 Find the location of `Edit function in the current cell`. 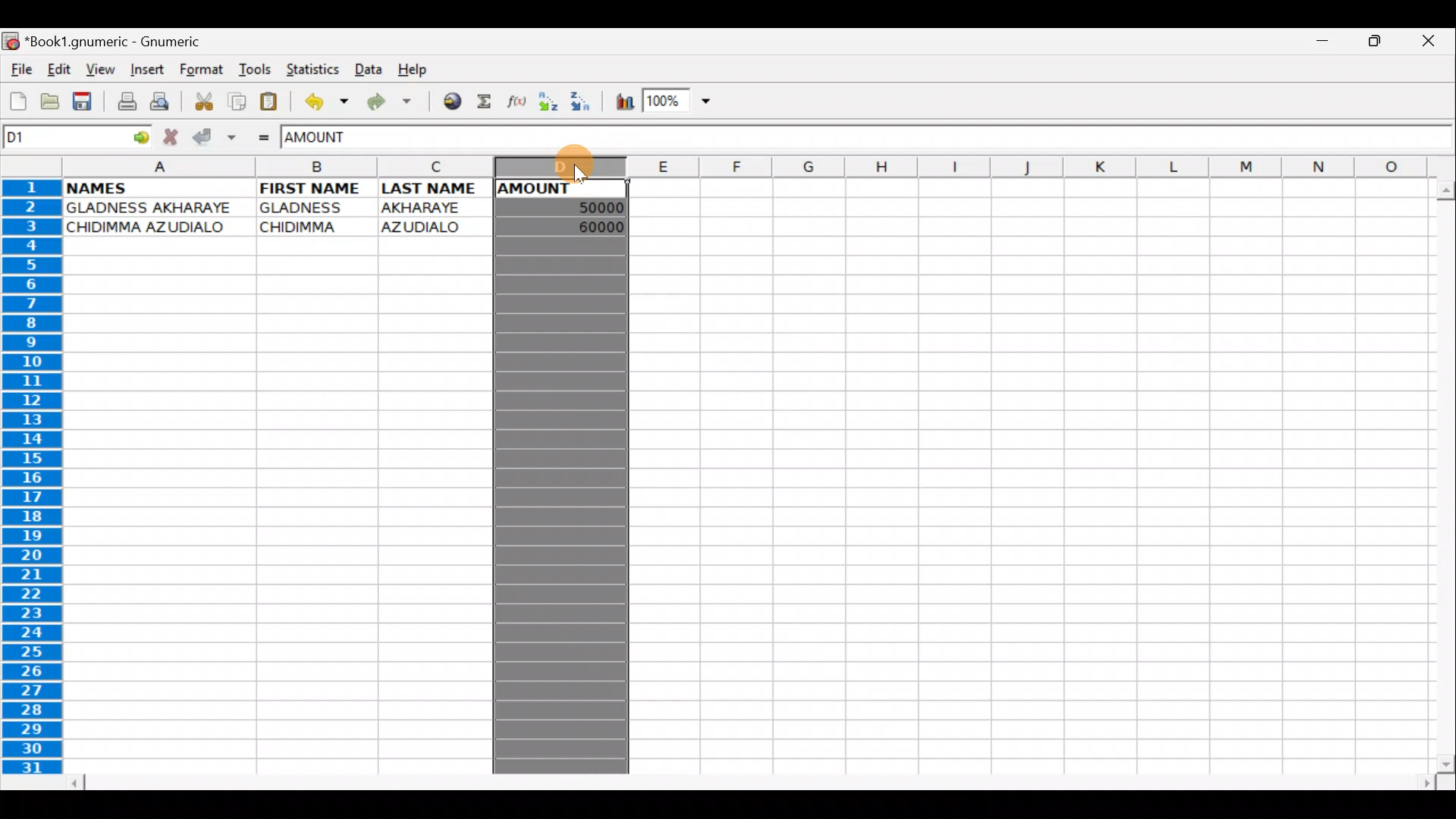

Edit function in the current cell is located at coordinates (519, 102).